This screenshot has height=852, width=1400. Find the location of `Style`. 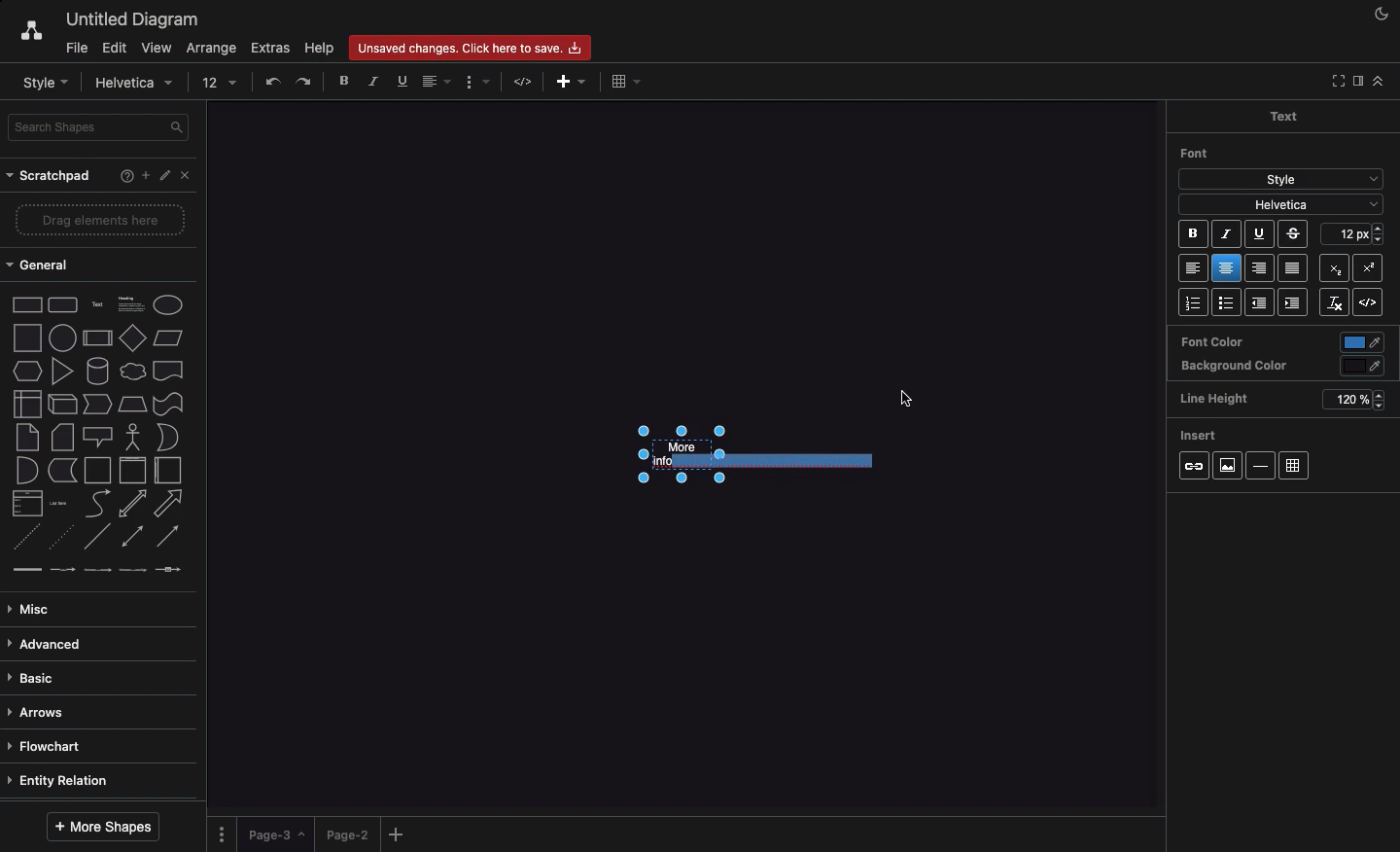

Style is located at coordinates (1281, 177).